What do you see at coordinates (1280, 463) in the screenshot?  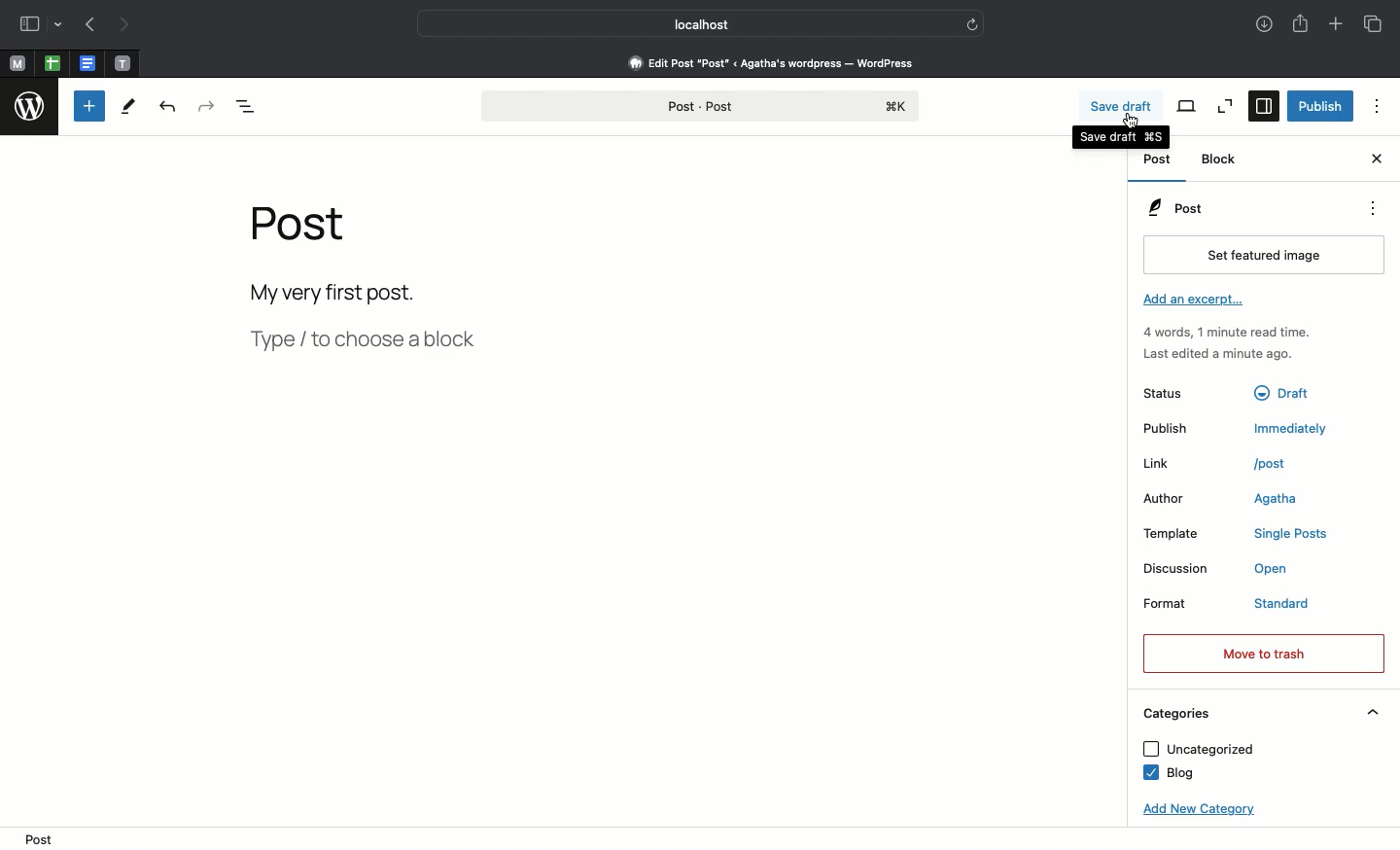 I see `/post` at bounding box center [1280, 463].